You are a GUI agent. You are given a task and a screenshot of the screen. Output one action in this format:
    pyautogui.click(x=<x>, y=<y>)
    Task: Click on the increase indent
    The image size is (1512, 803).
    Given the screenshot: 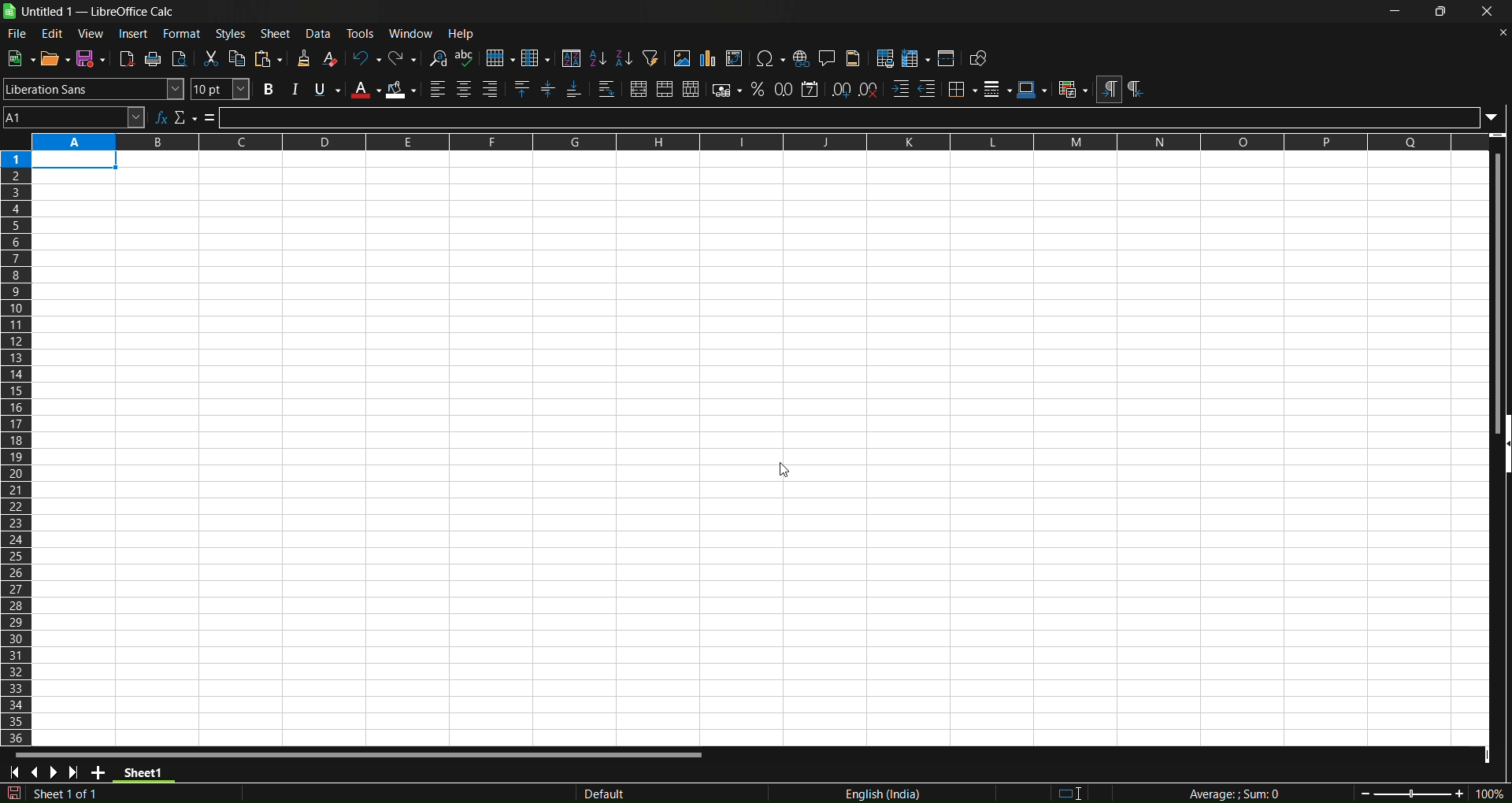 What is the action you would take?
    pyautogui.click(x=900, y=90)
    